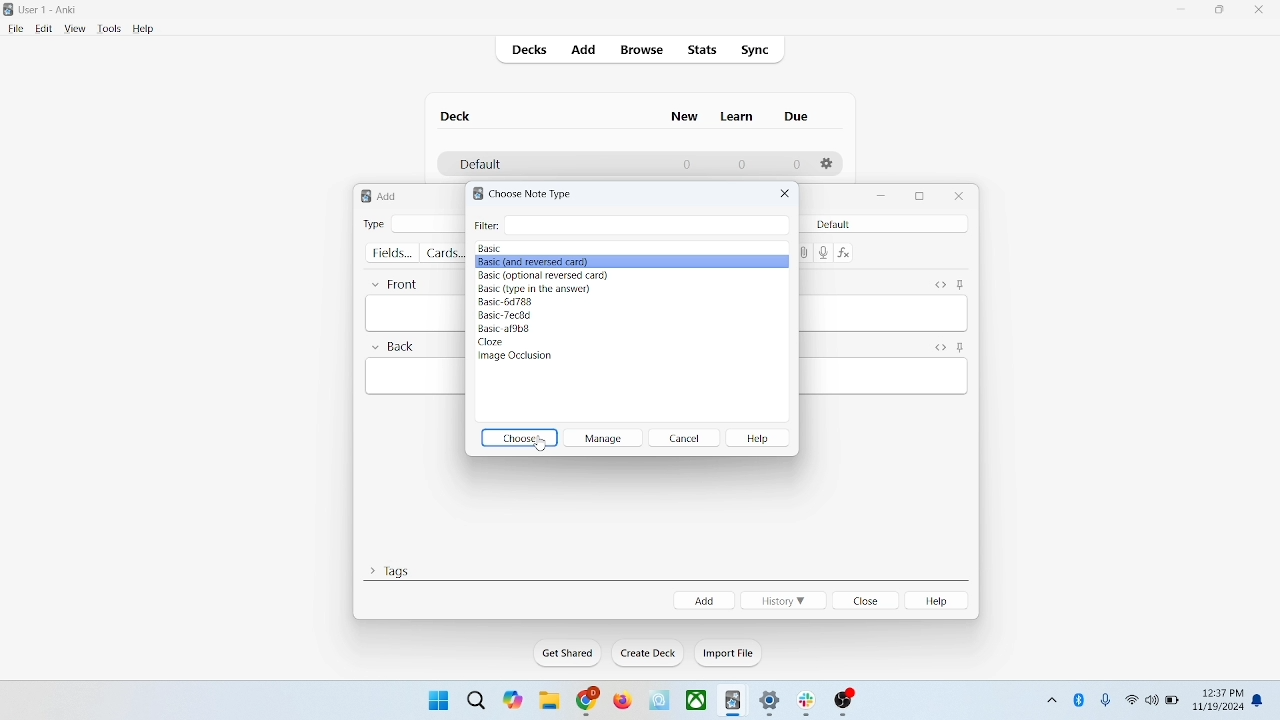  Describe the element at coordinates (458, 116) in the screenshot. I see `deck` at that location.